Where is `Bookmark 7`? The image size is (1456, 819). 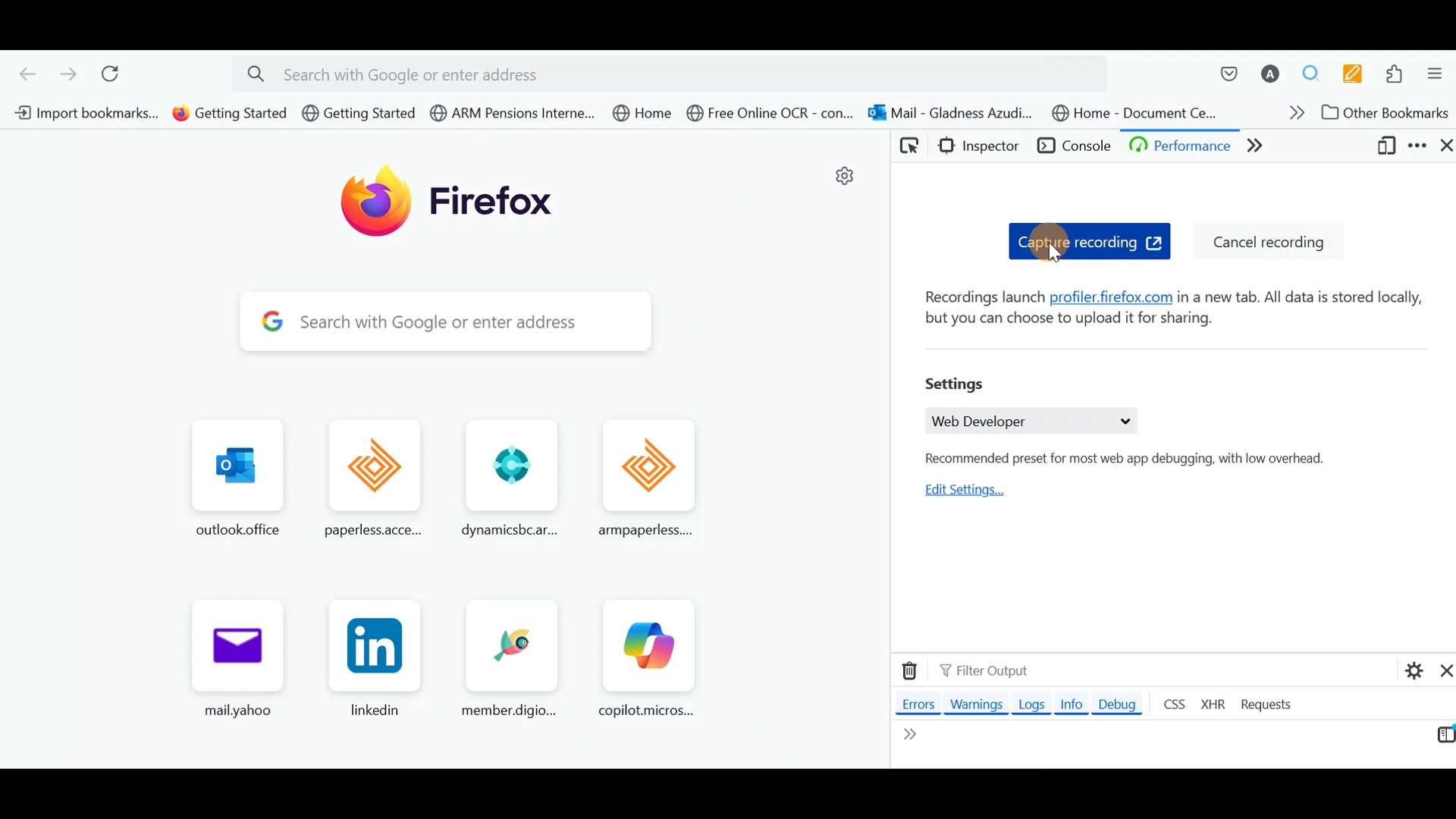
Bookmark 7 is located at coordinates (949, 114).